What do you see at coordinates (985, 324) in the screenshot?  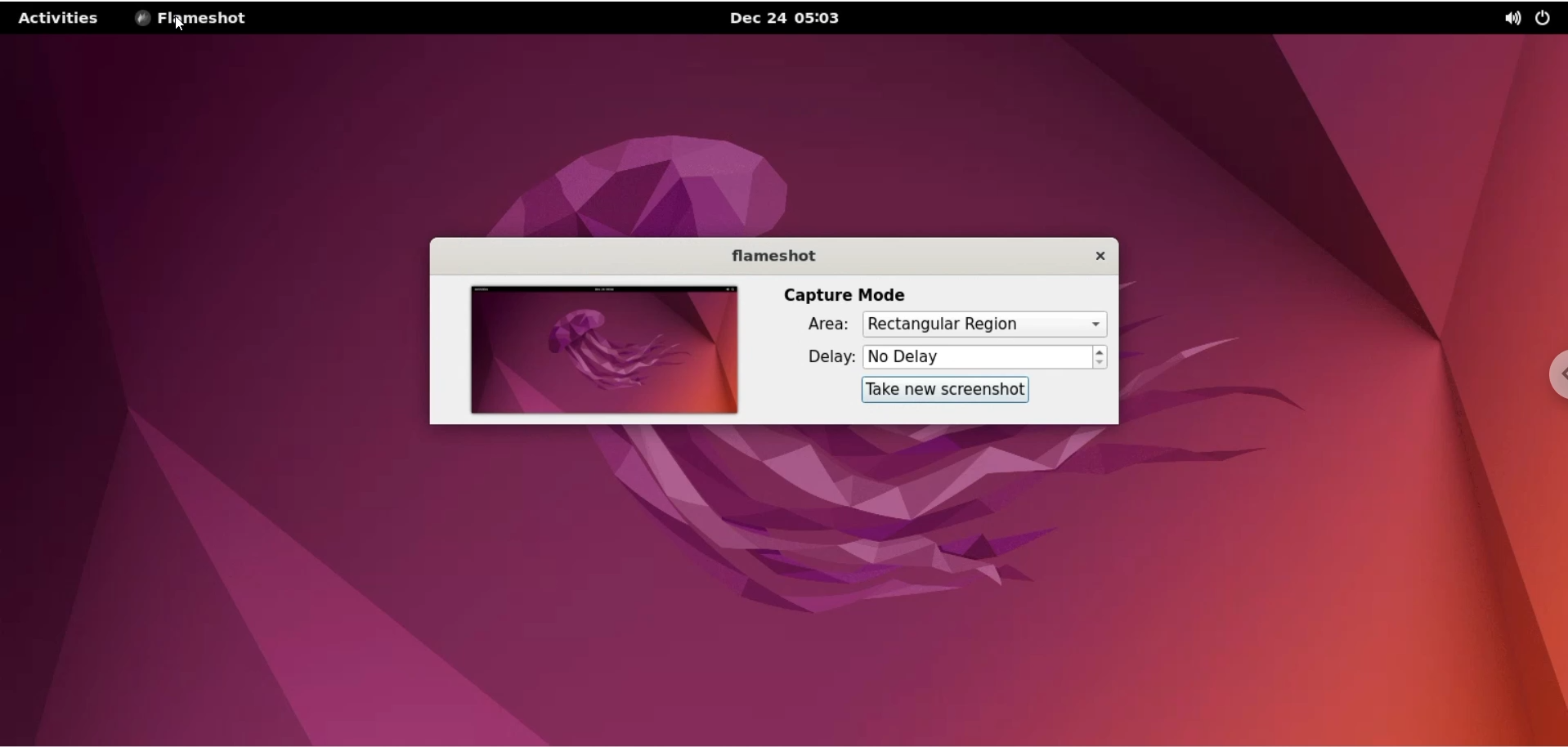 I see `area options` at bounding box center [985, 324].